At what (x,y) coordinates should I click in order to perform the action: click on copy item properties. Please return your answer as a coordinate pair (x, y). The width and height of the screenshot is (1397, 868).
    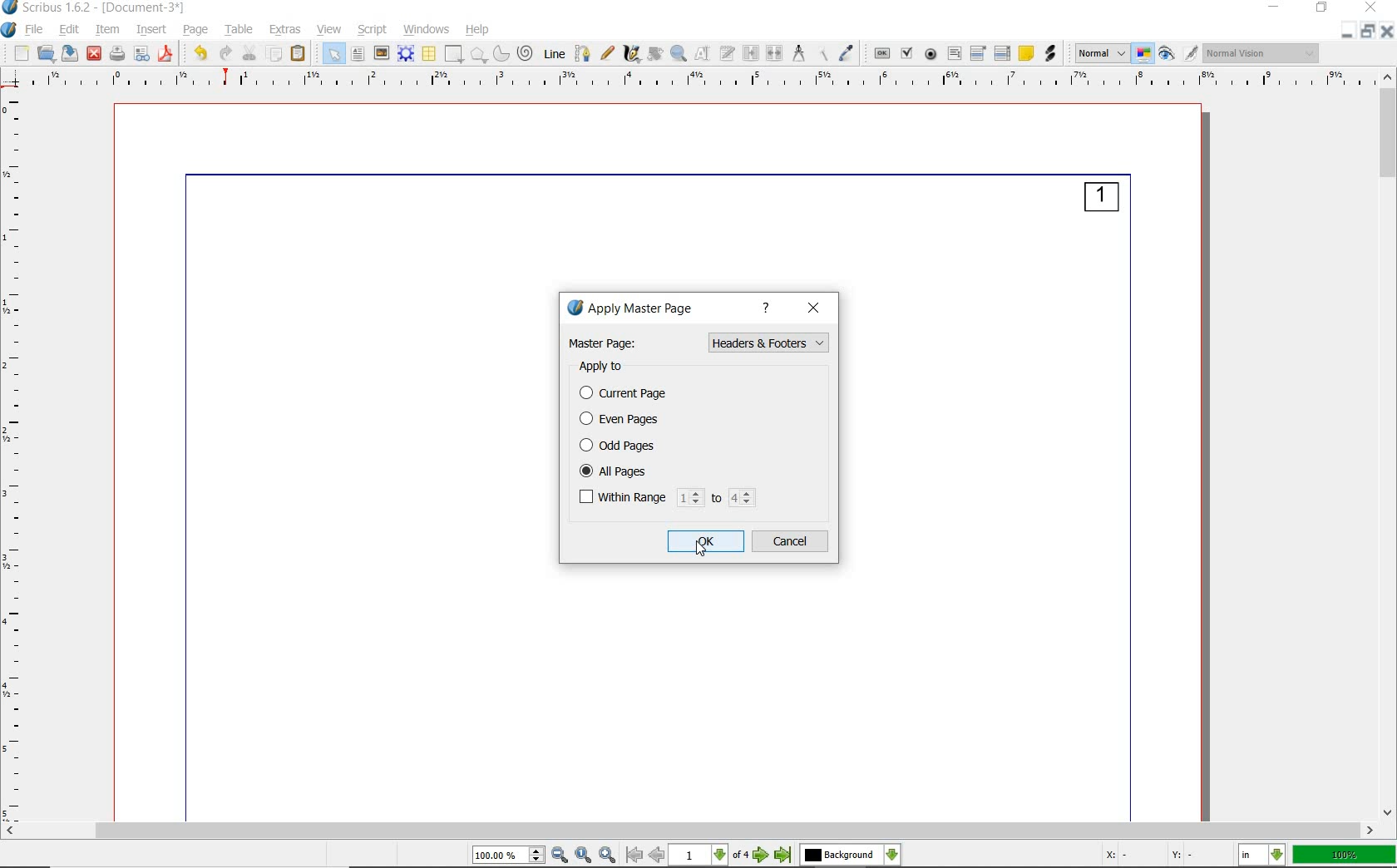
    Looking at the image, I should click on (822, 54).